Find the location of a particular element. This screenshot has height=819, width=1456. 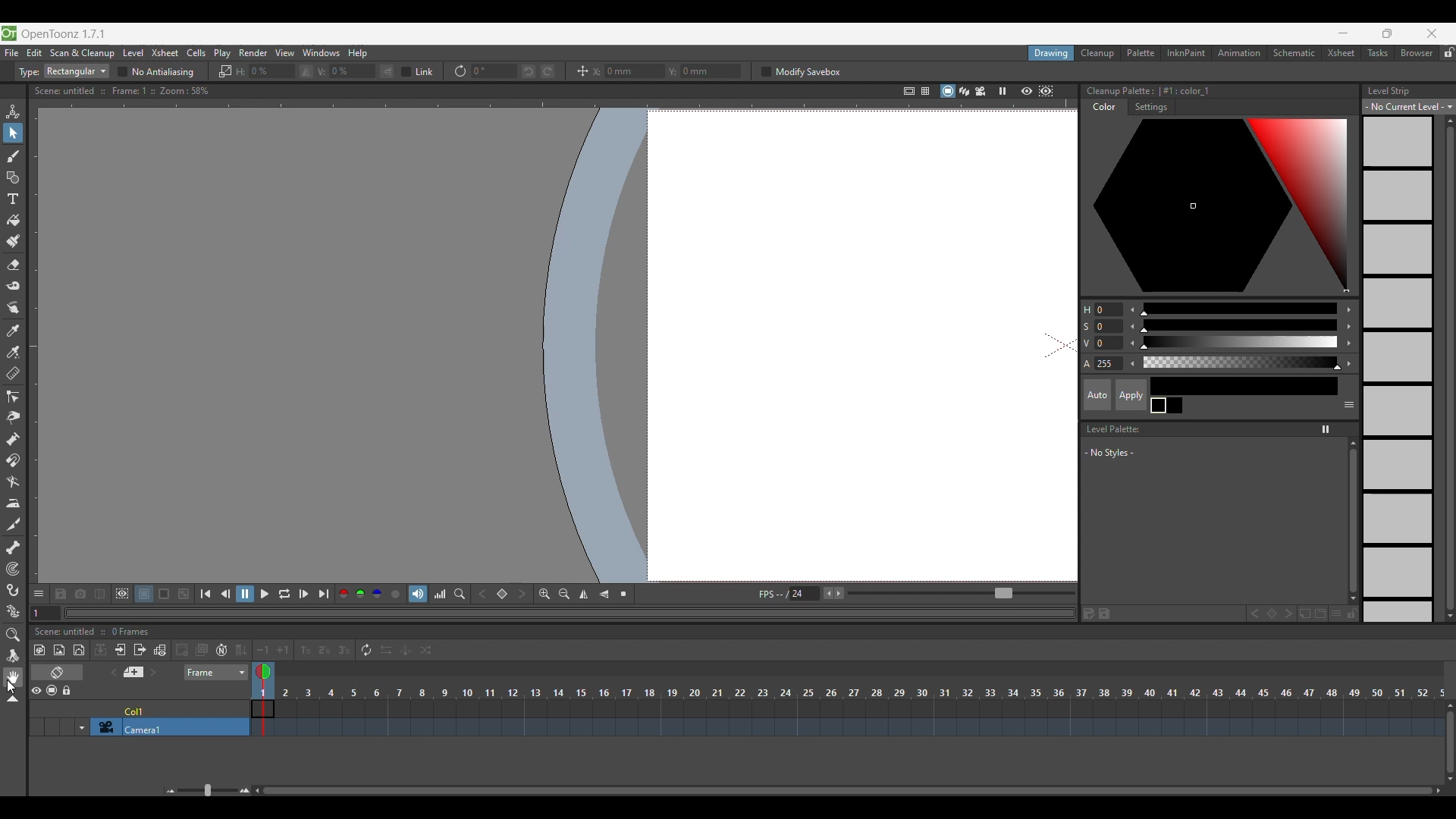

Close interface is located at coordinates (1431, 33).